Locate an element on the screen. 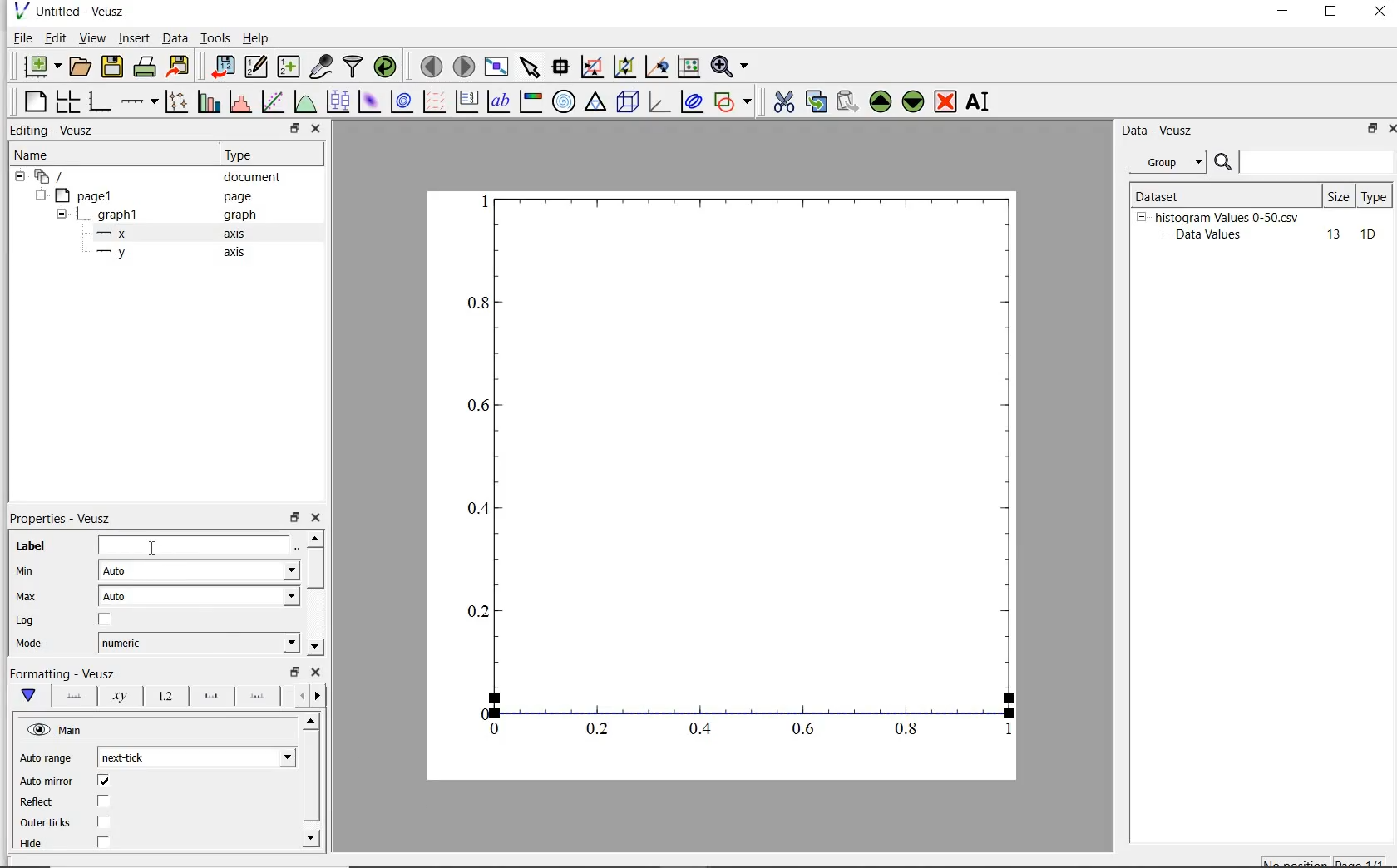  axis label is located at coordinates (121, 696).